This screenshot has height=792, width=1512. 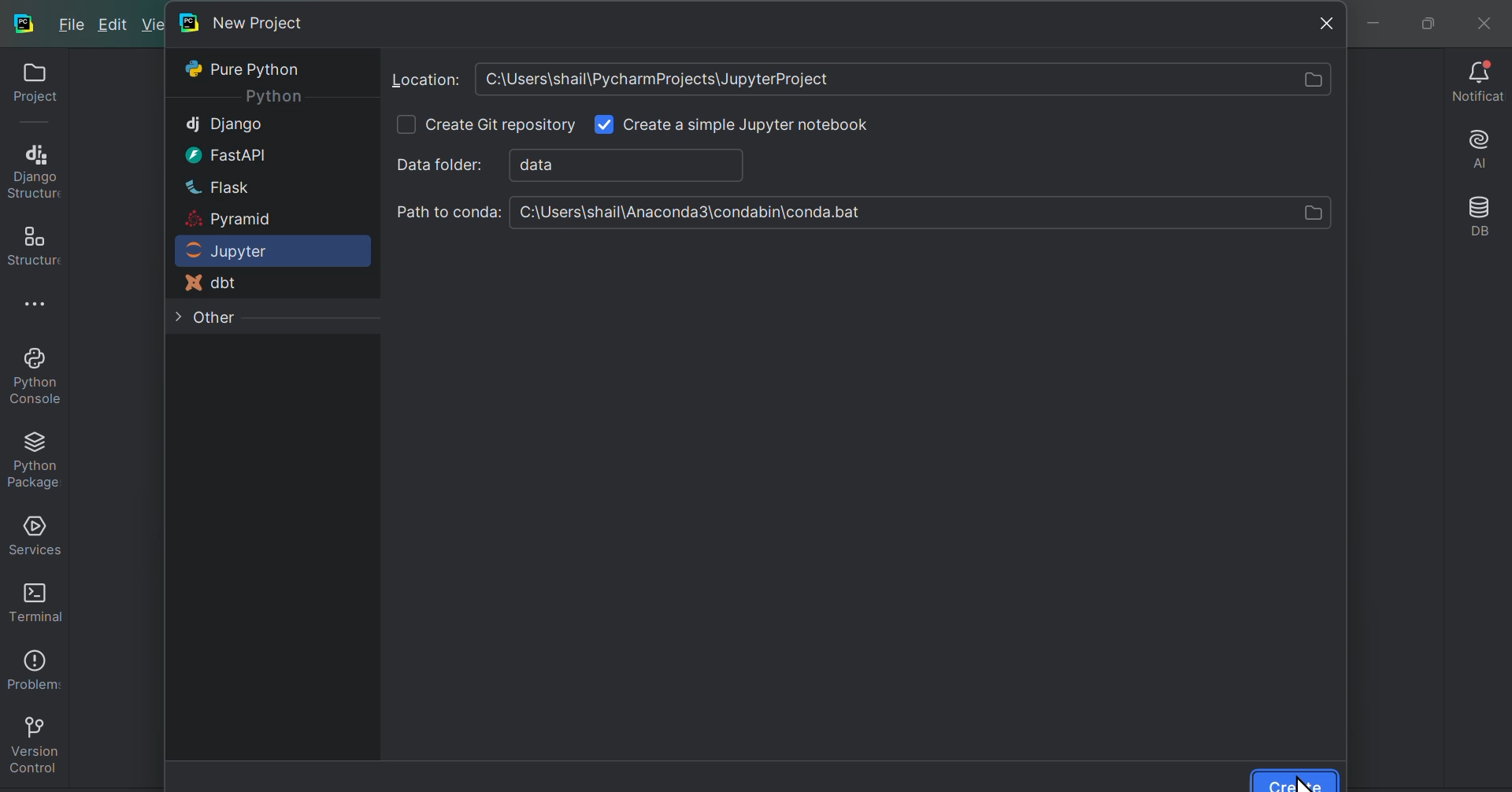 I want to click on Projects, so click(x=29, y=87).